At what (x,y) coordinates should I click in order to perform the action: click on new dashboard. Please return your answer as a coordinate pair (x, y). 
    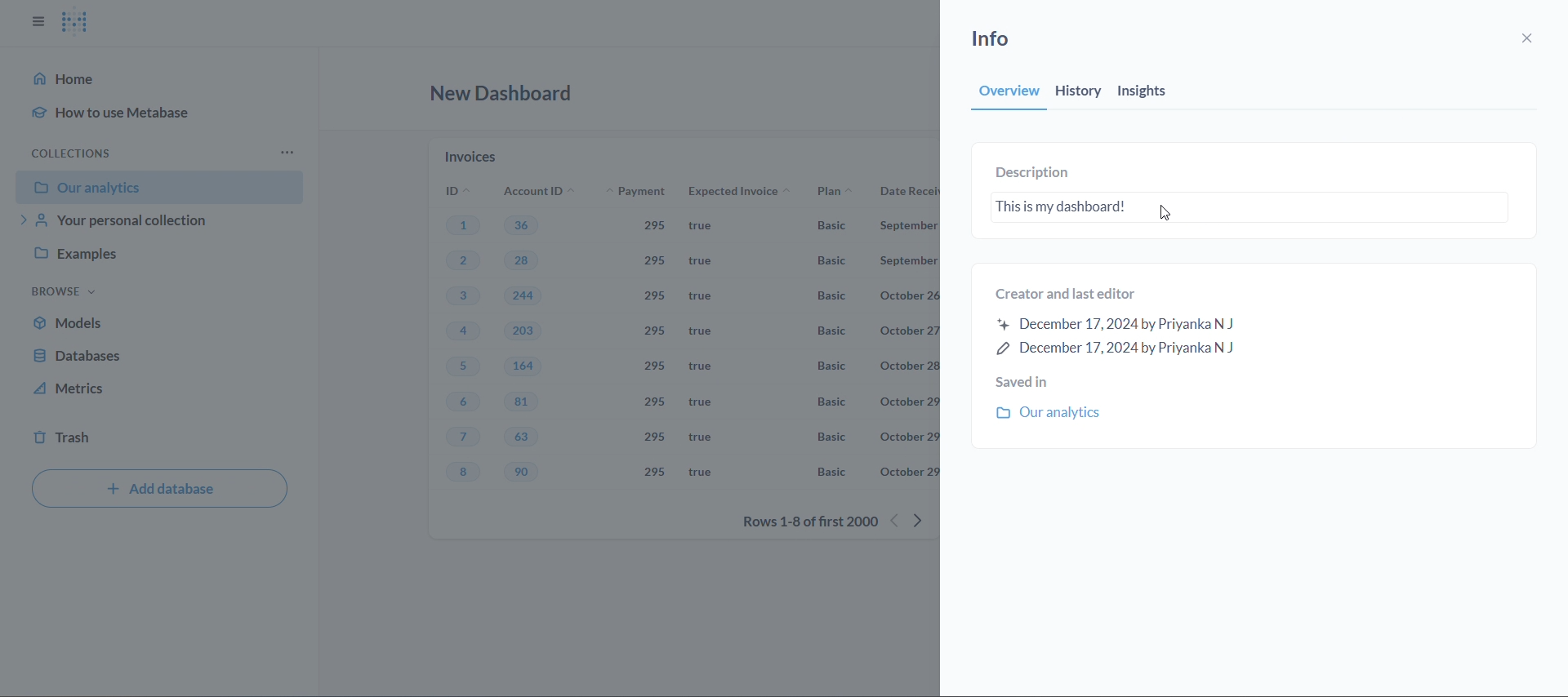
    Looking at the image, I should click on (506, 98).